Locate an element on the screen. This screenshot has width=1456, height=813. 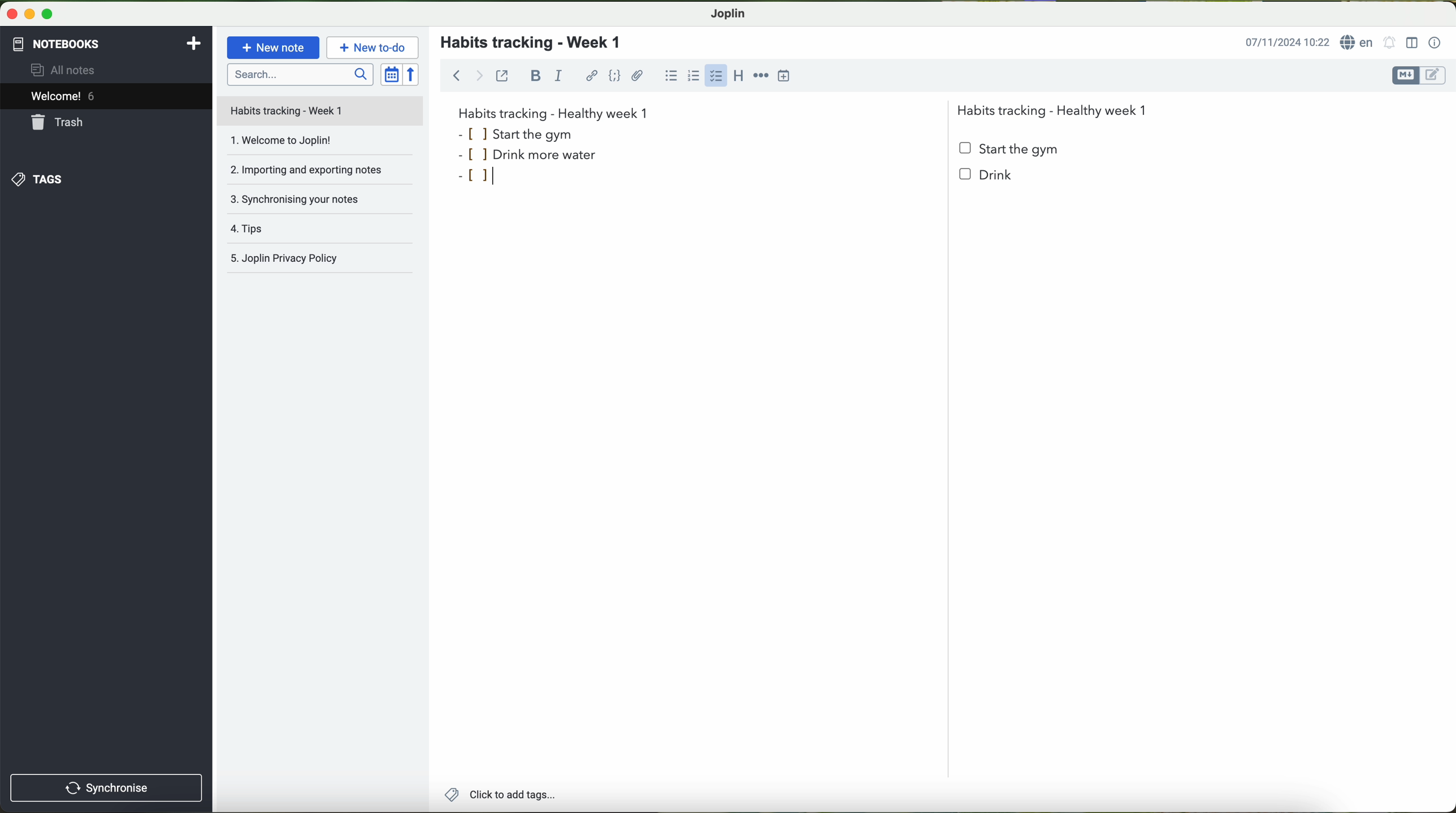
tips is located at coordinates (322, 231).